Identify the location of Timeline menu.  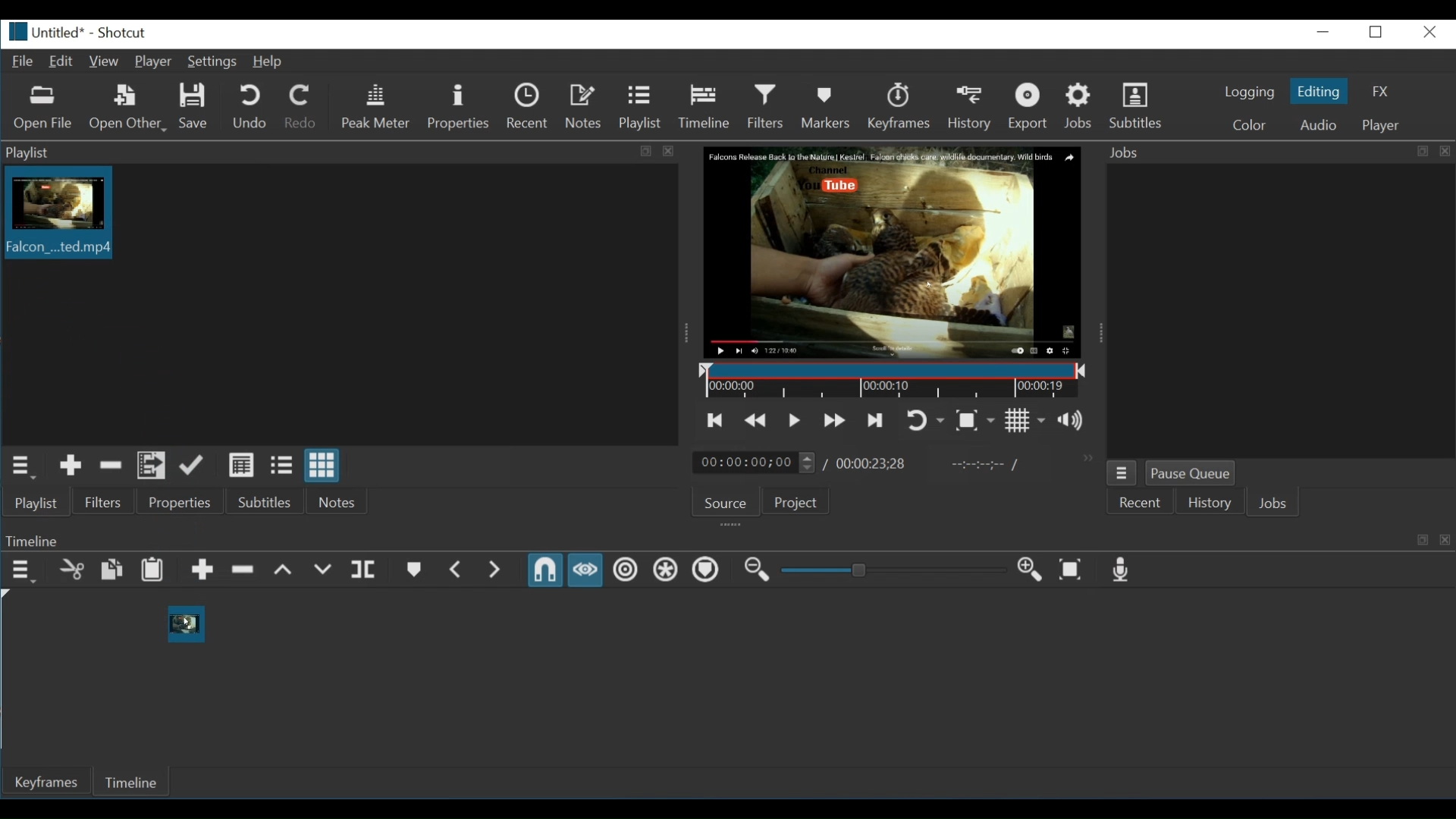
(24, 571).